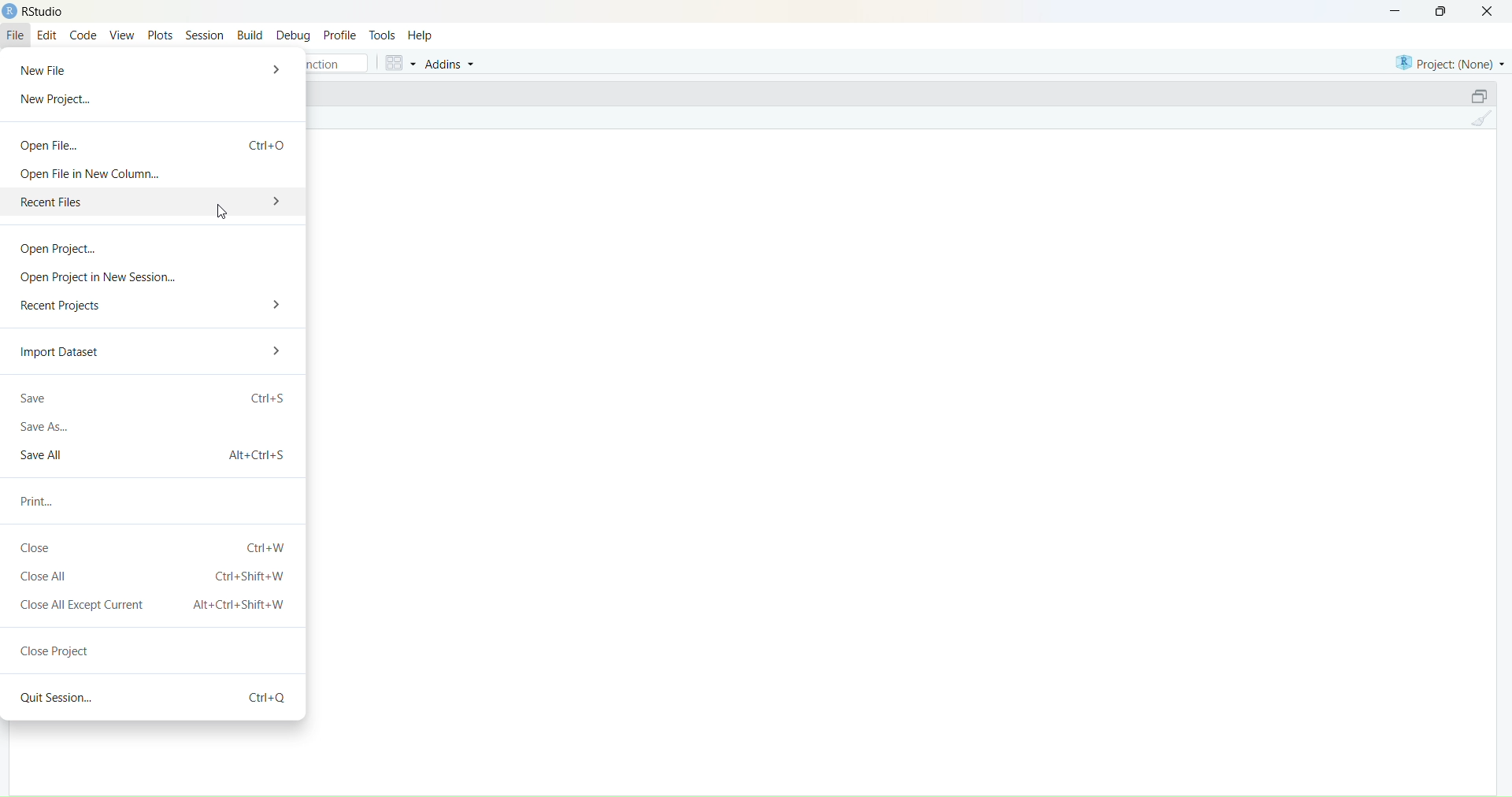 Image resolution: width=1512 pixels, height=797 pixels. I want to click on Edit, so click(47, 36).